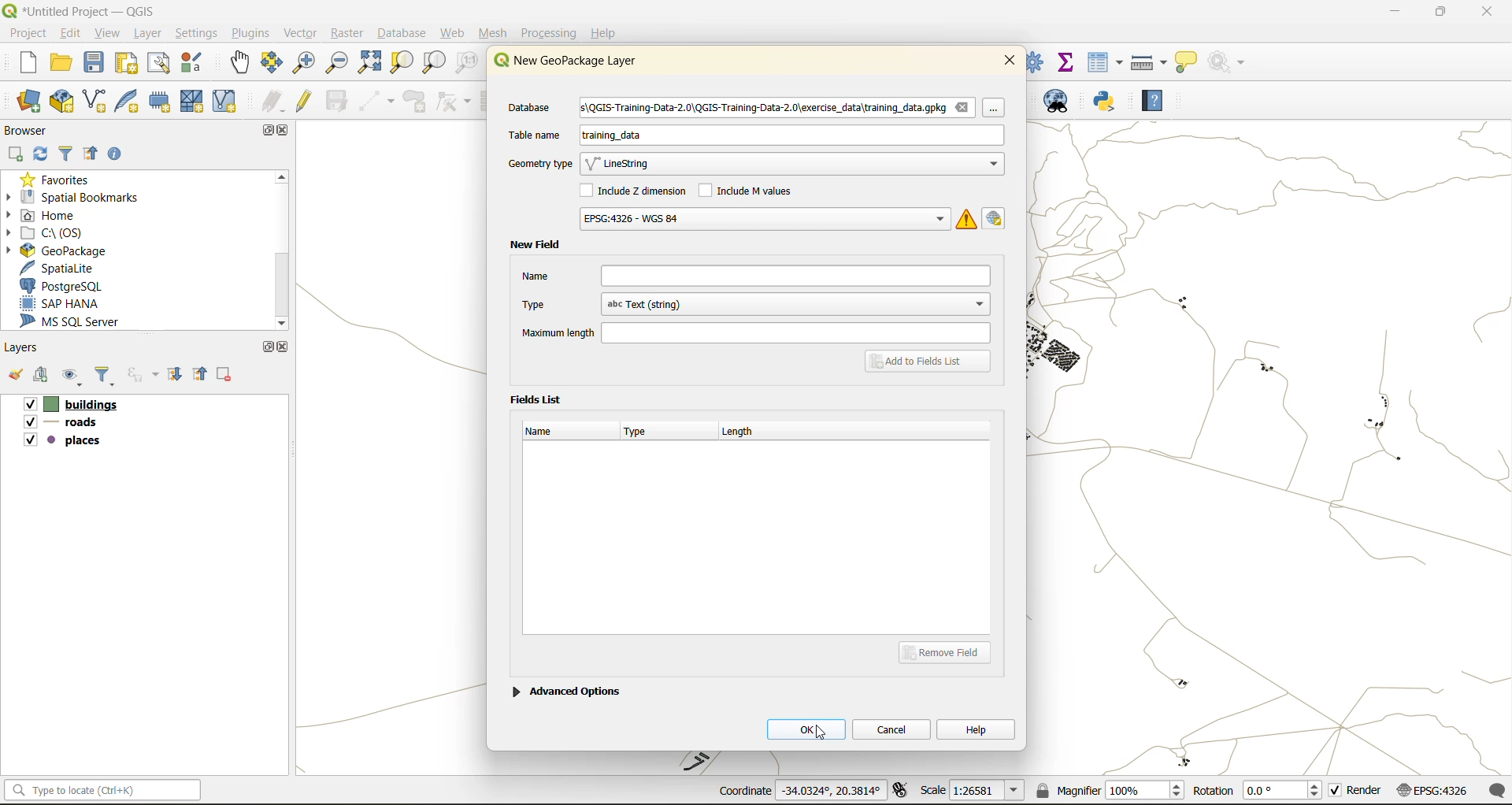  What do you see at coordinates (1479, 13) in the screenshot?
I see `close` at bounding box center [1479, 13].